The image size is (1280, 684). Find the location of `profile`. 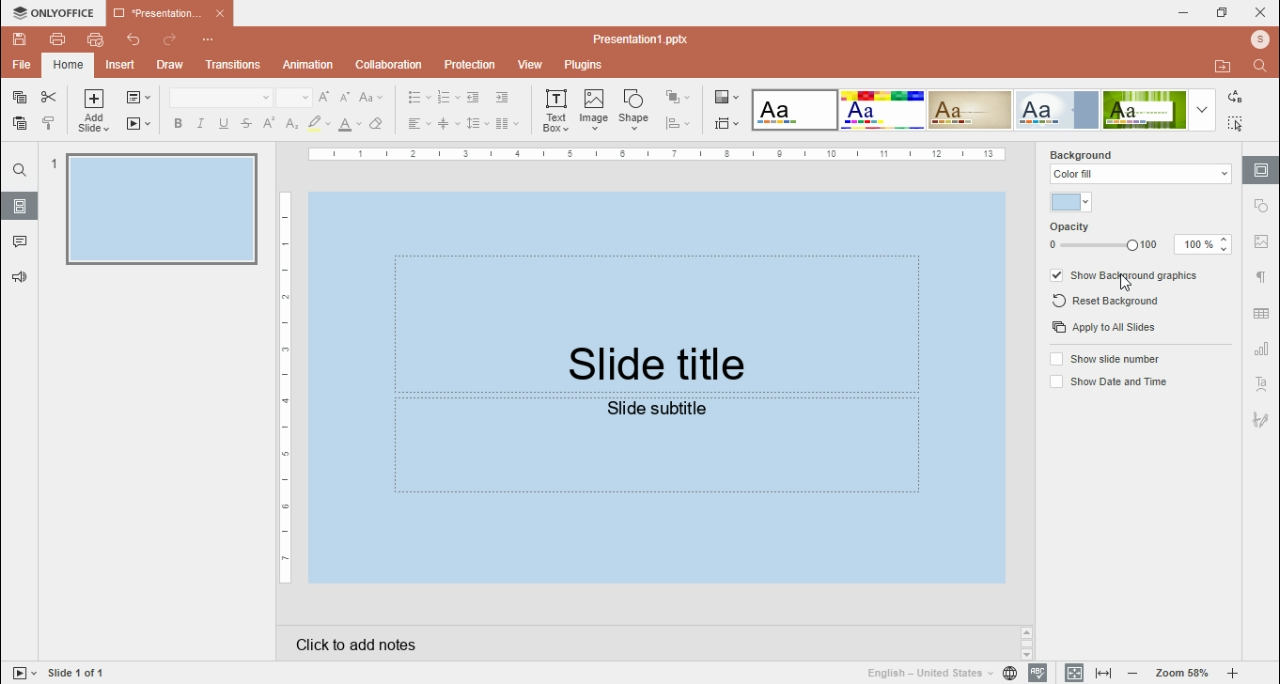

profile is located at coordinates (1259, 41).